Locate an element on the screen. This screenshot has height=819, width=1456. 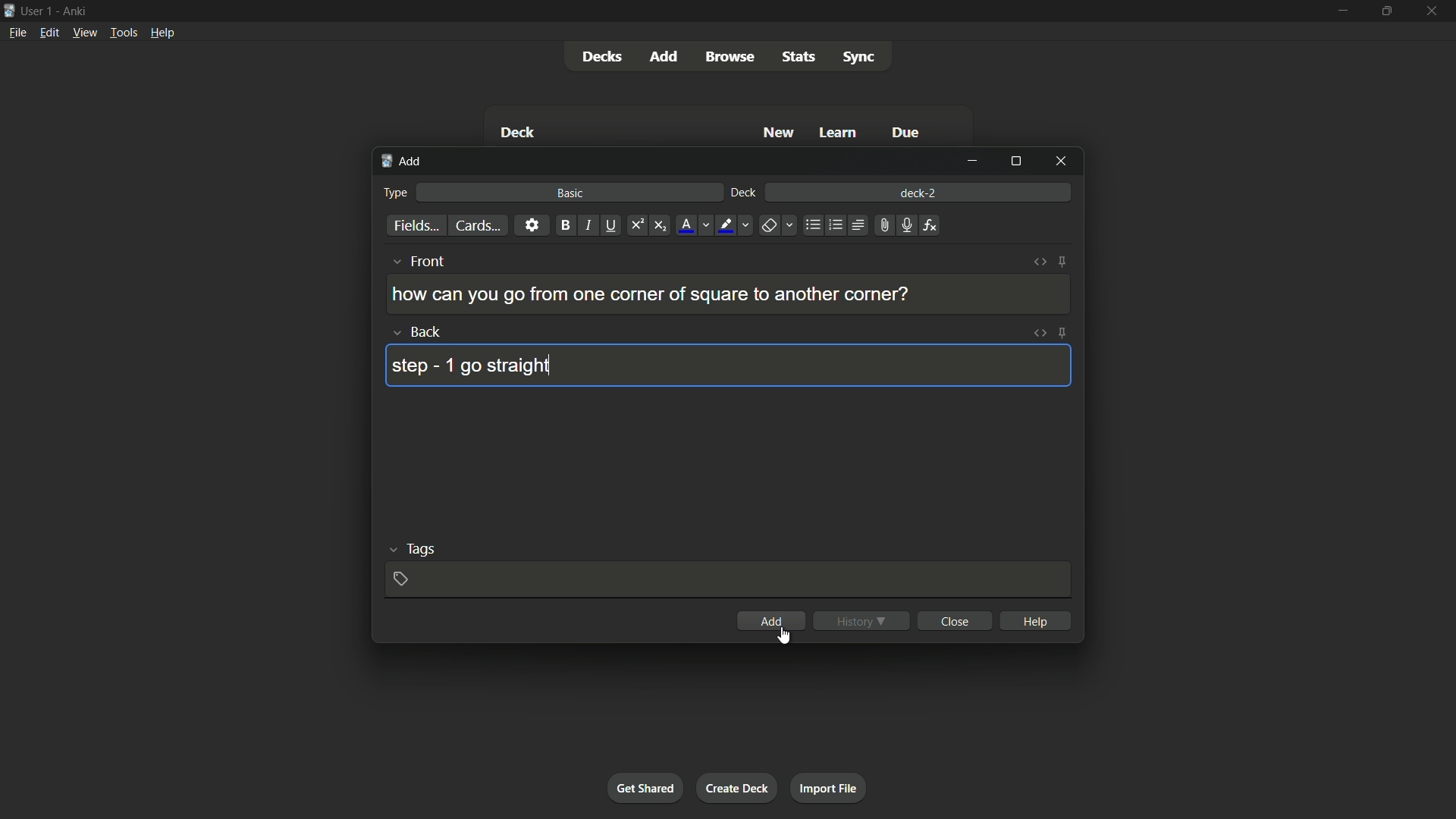
superscript is located at coordinates (637, 226).